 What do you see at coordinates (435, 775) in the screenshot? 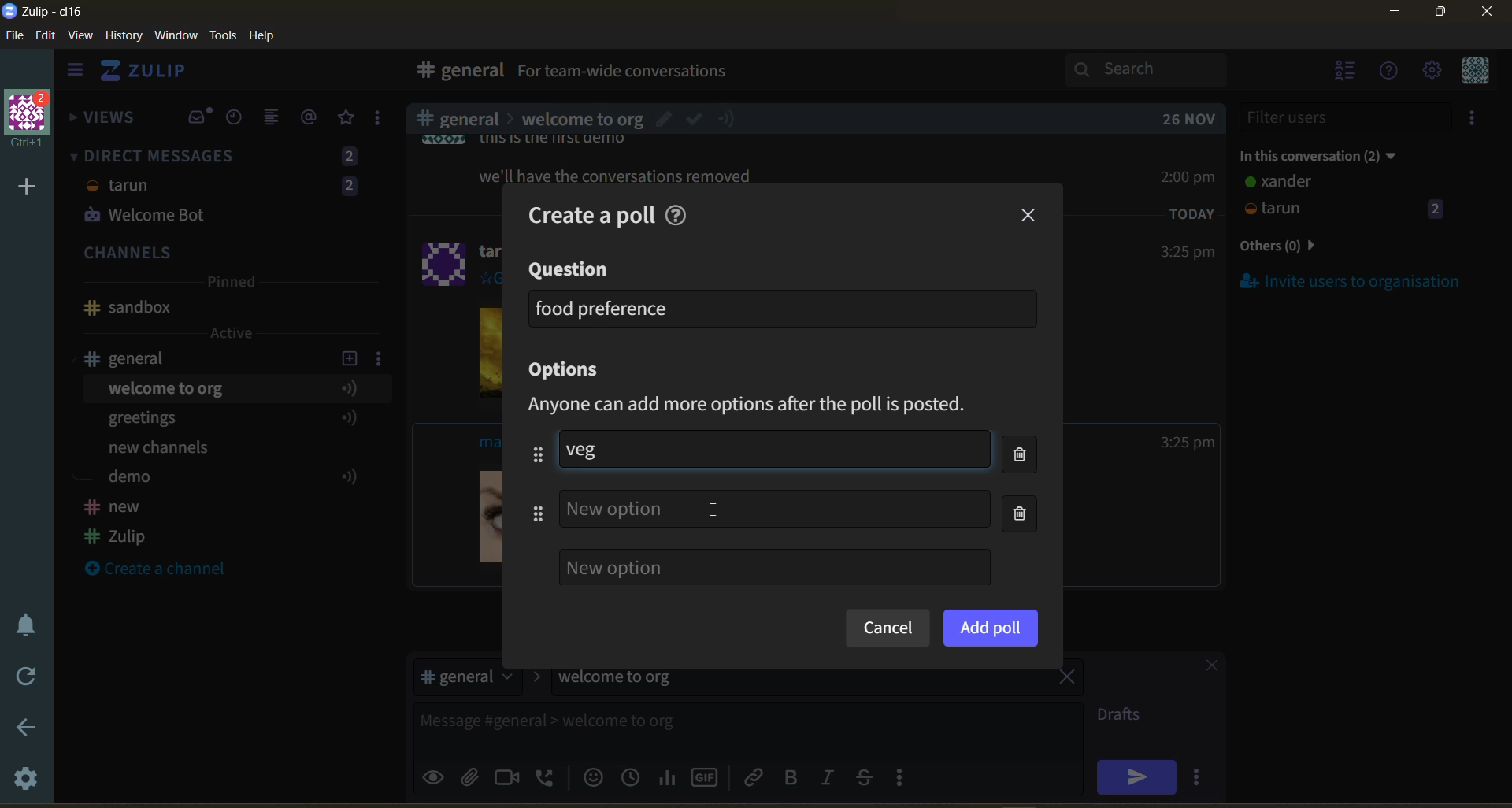
I see `preview` at bounding box center [435, 775].